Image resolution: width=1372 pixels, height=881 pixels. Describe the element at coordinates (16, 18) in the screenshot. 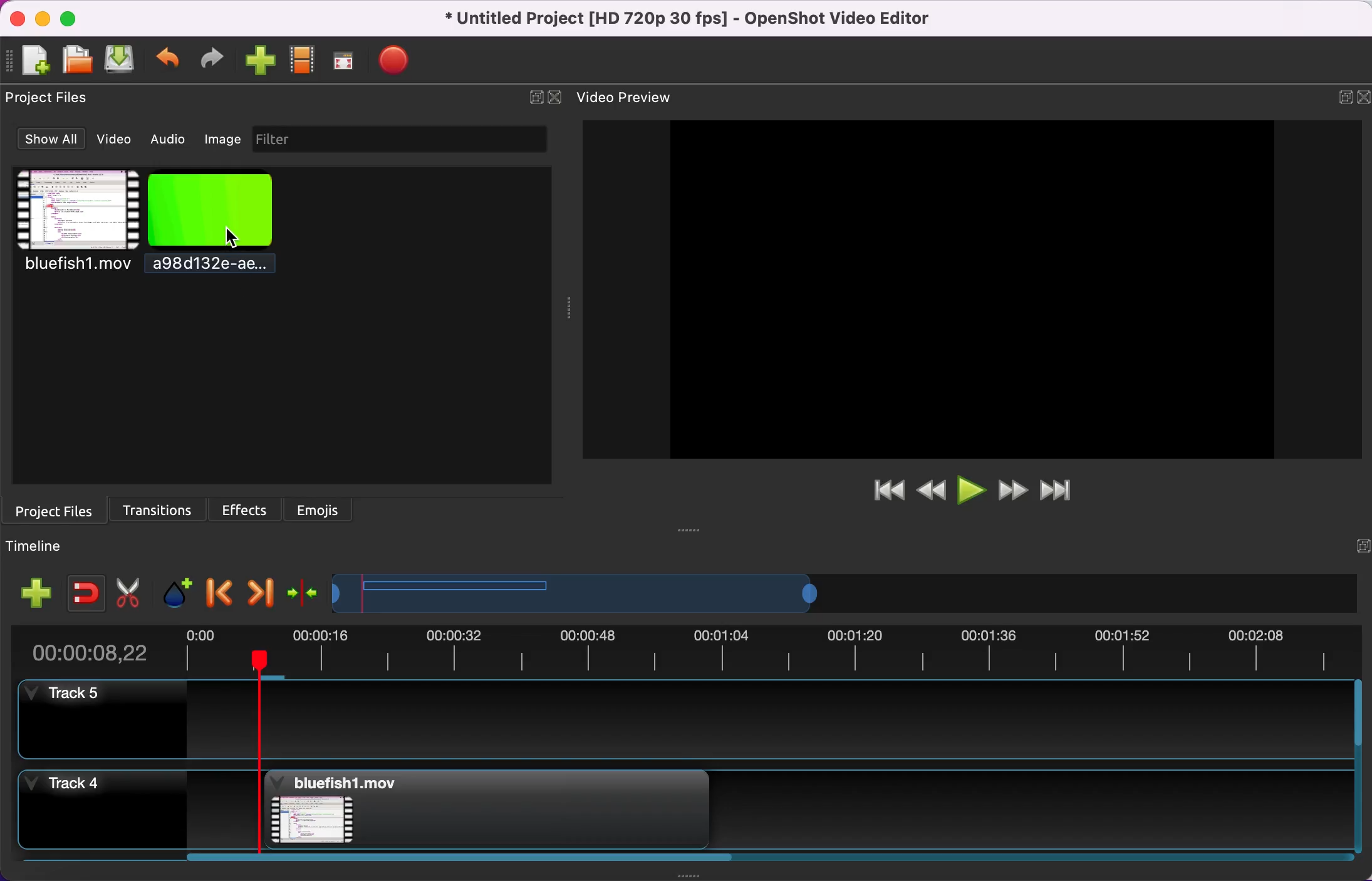

I see `` at that location.